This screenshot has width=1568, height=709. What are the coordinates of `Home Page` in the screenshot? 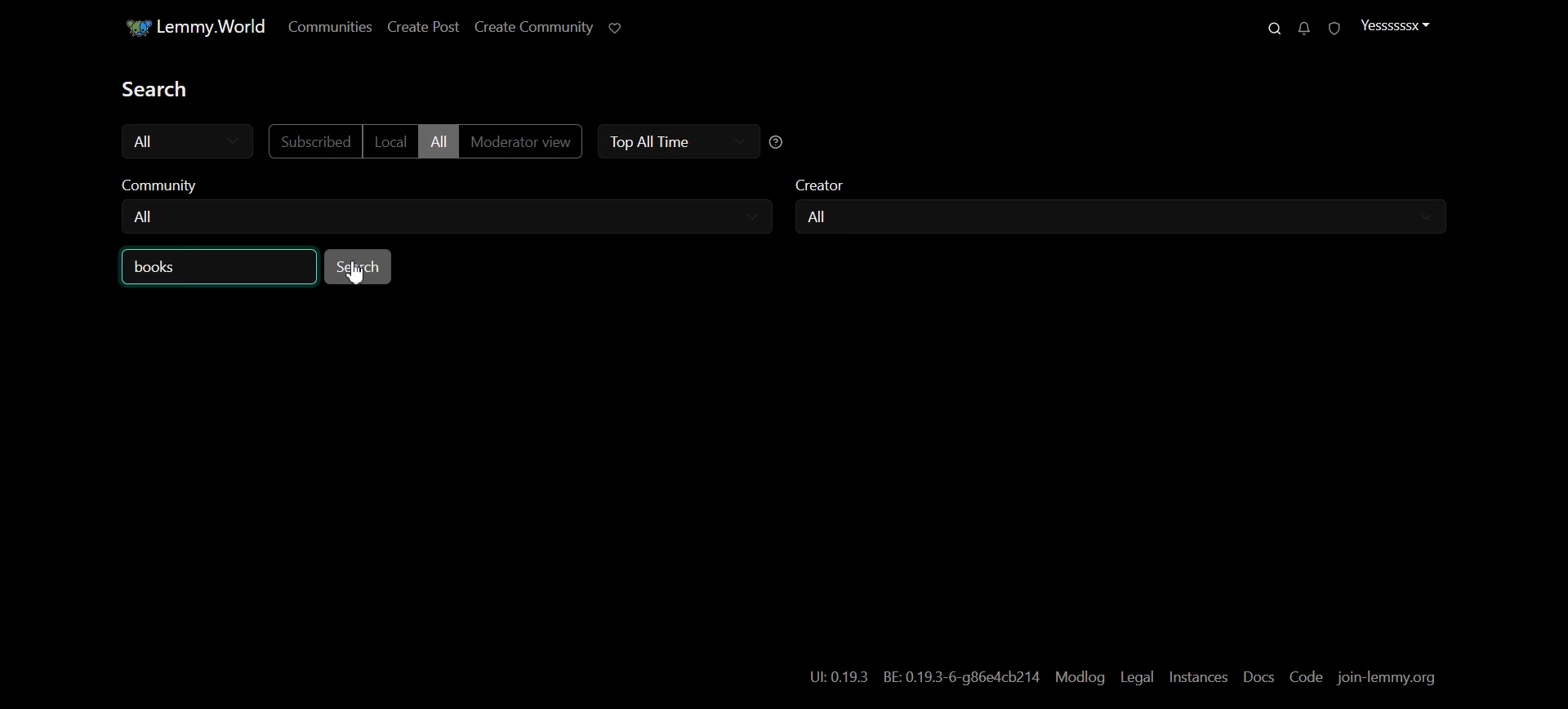 It's located at (186, 26).